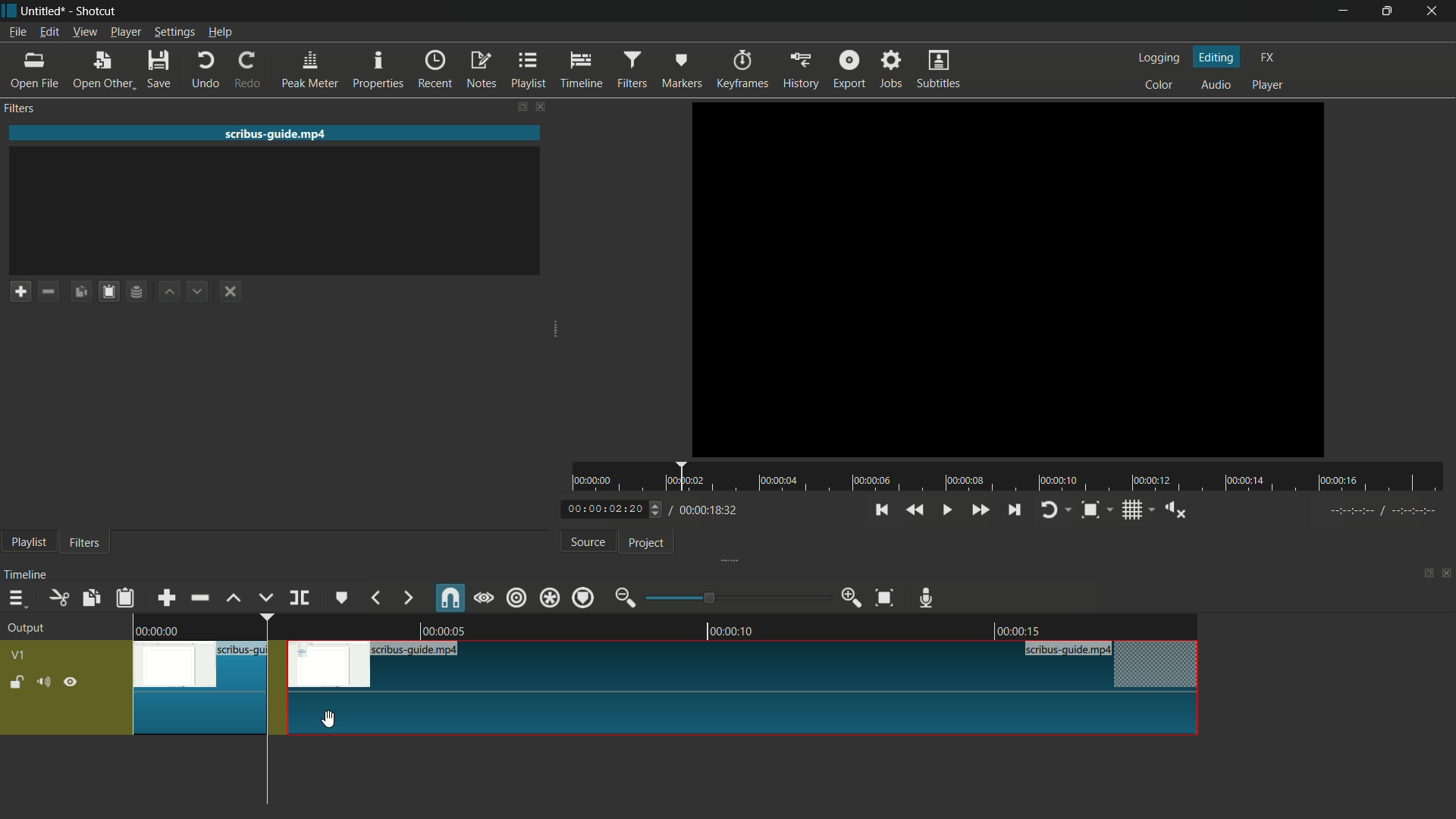 The image size is (1456, 819). I want to click on player, so click(1267, 84).